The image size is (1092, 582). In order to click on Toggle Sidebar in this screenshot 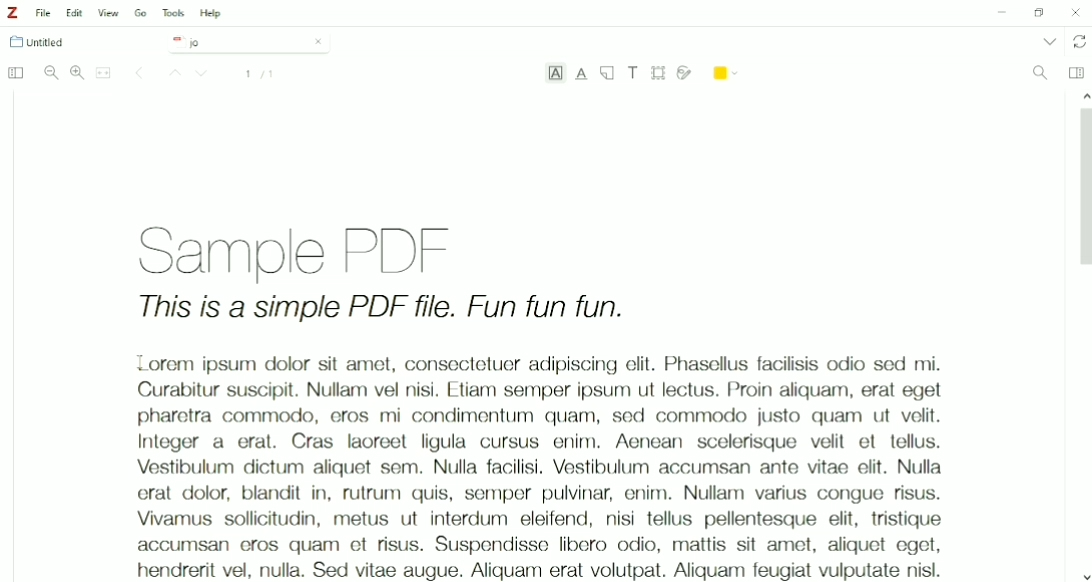, I will do `click(14, 74)`.